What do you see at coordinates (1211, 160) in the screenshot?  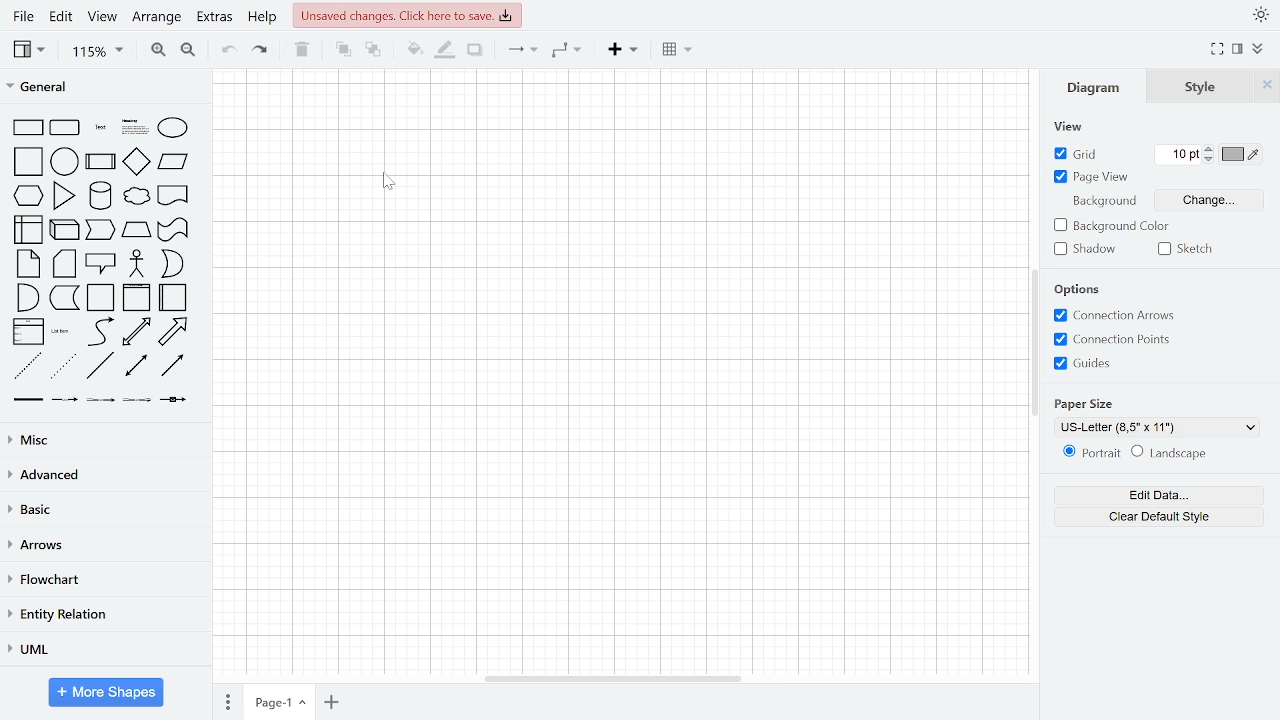 I see `decrease grid pt` at bounding box center [1211, 160].